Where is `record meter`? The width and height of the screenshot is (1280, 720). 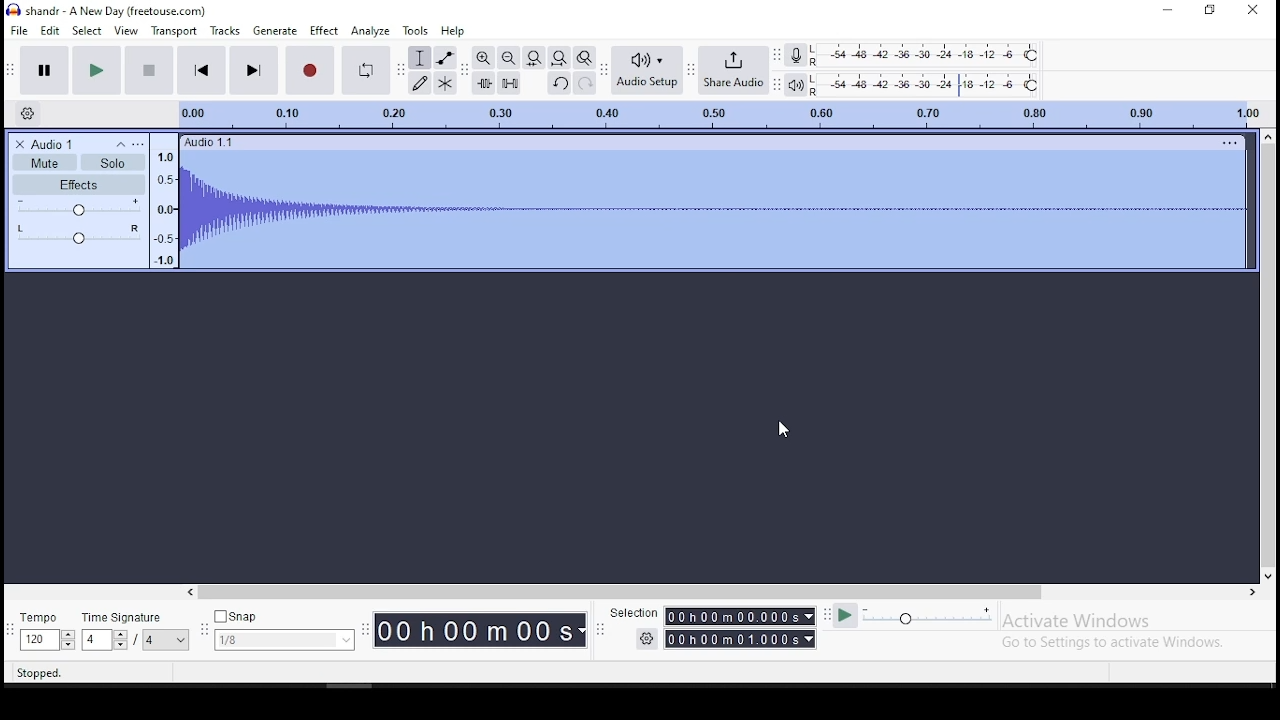 record meter is located at coordinates (795, 56).